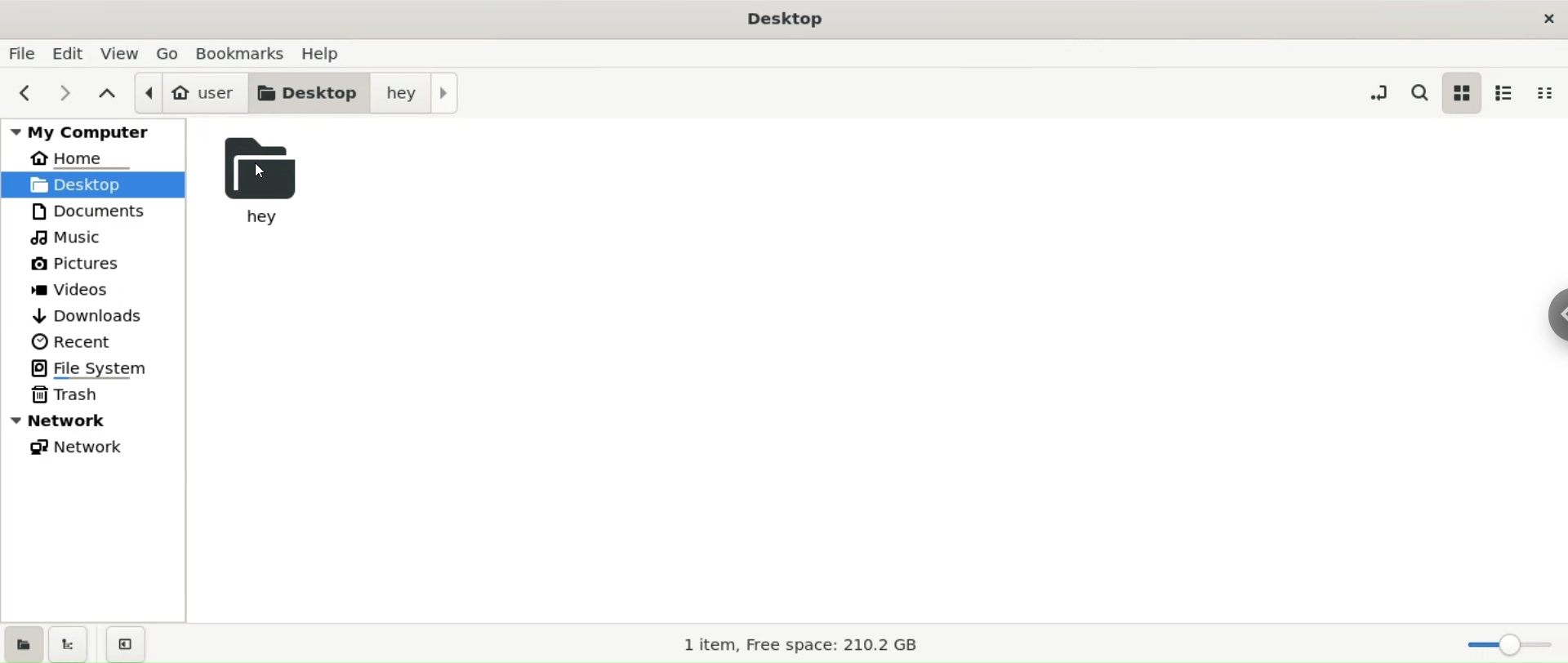 This screenshot has width=1568, height=663. Describe the element at coordinates (784, 18) in the screenshot. I see `title` at that location.